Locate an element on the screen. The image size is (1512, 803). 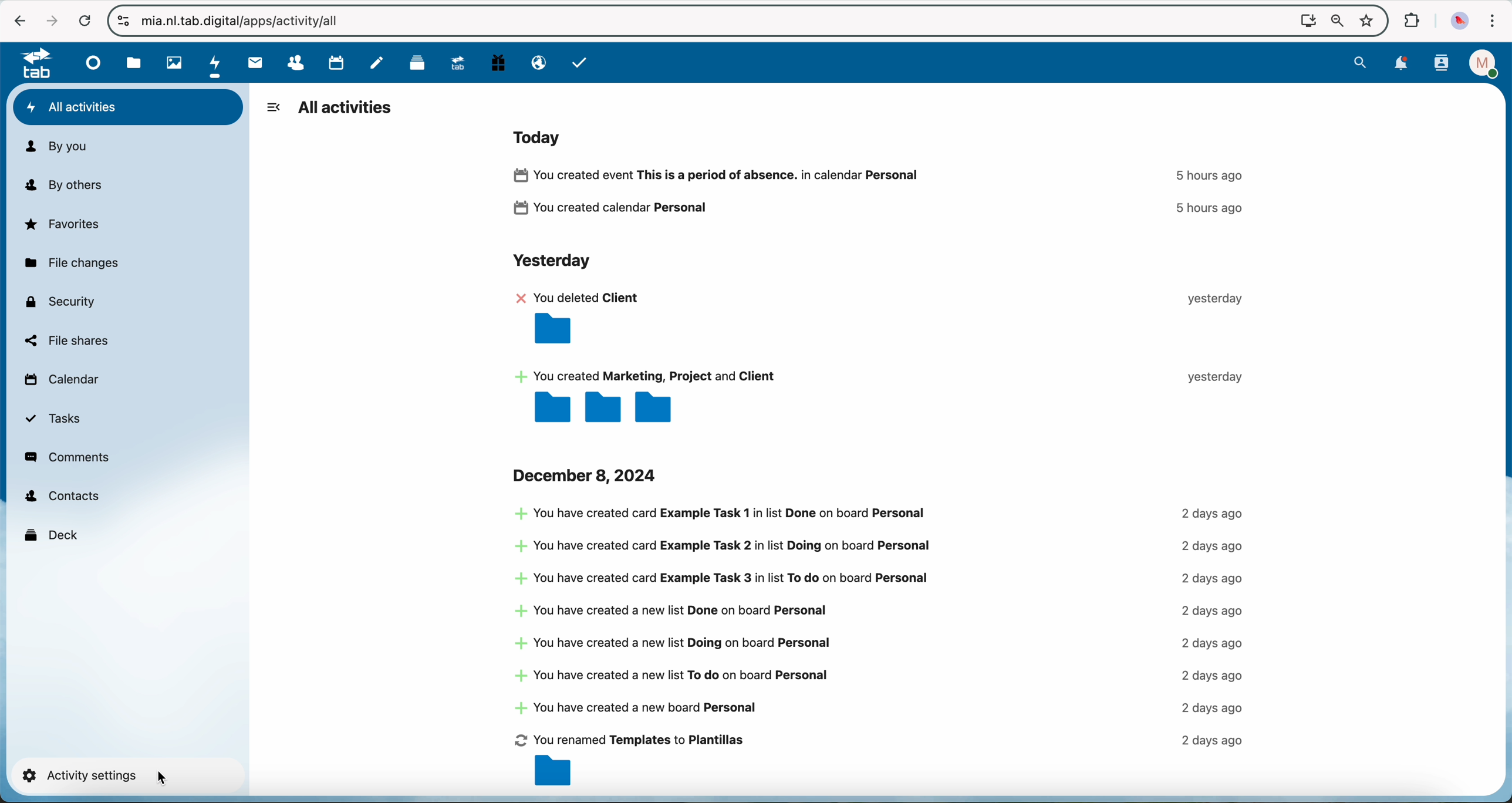
click on activity settings is located at coordinates (122, 776).